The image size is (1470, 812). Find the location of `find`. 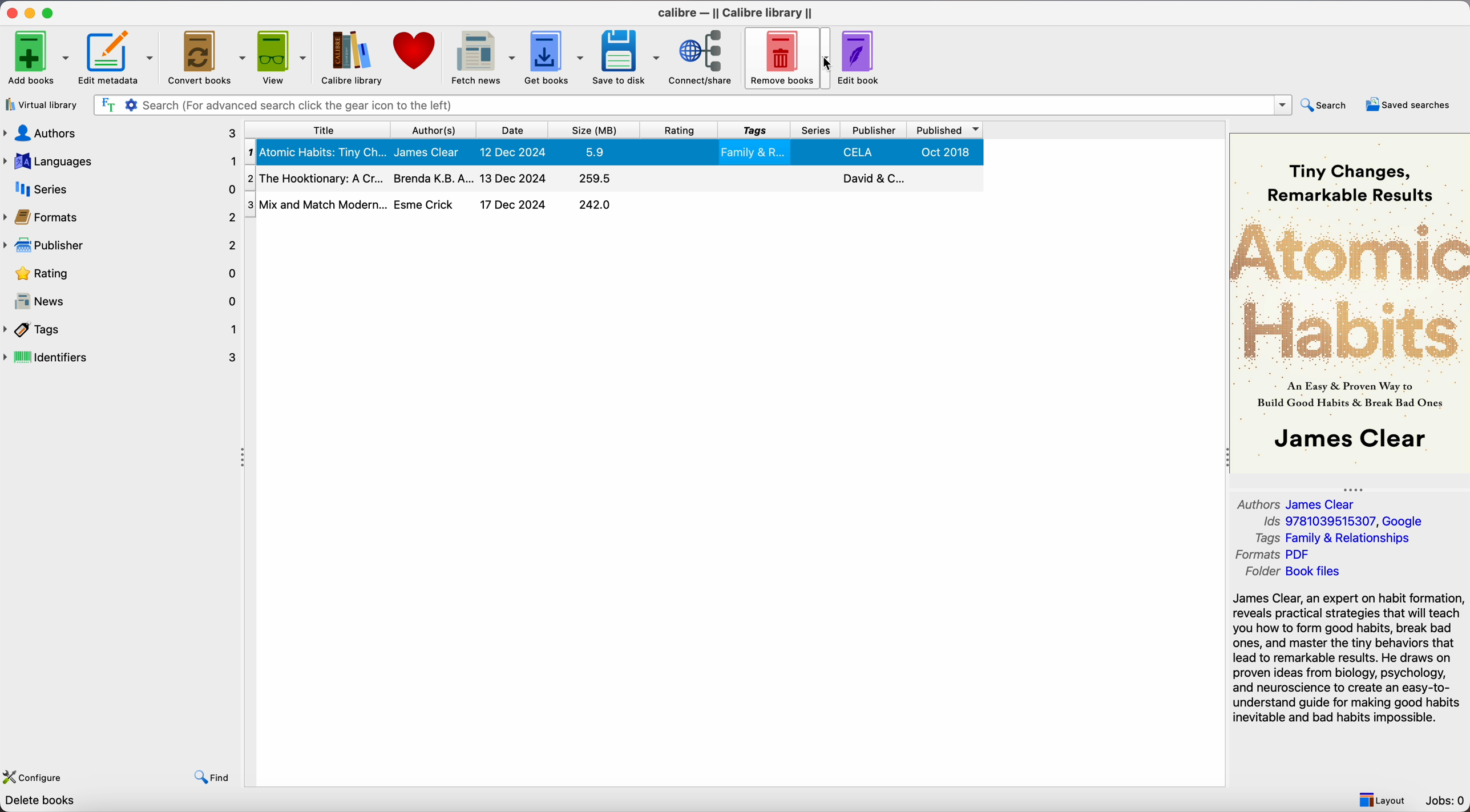

find is located at coordinates (212, 778).